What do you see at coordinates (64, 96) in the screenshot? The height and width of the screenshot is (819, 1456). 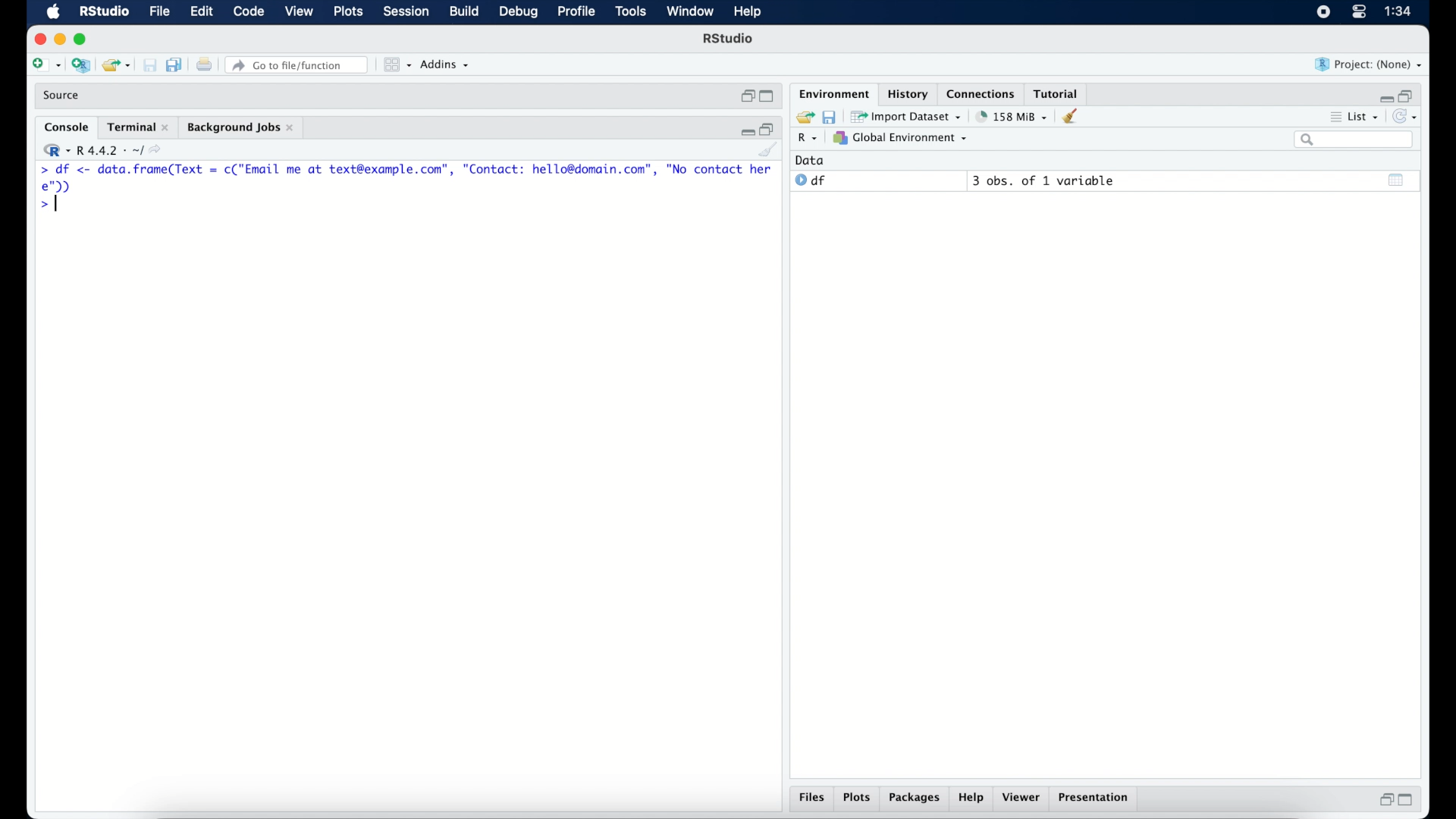 I see `source` at bounding box center [64, 96].